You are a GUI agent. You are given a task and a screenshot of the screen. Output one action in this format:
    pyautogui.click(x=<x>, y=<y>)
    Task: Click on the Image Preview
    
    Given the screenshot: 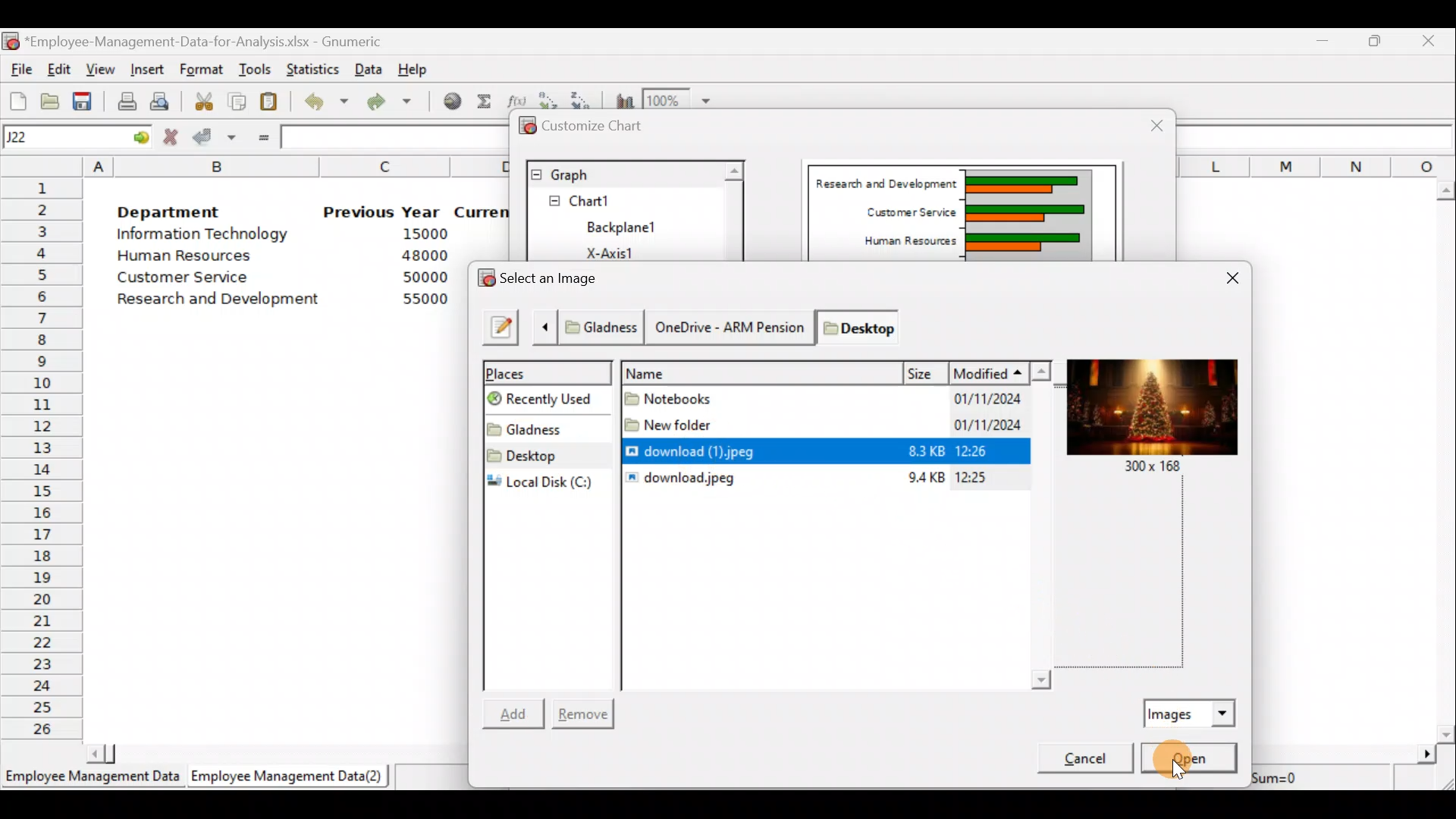 What is the action you would take?
    pyautogui.click(x=1150, y=408)
    